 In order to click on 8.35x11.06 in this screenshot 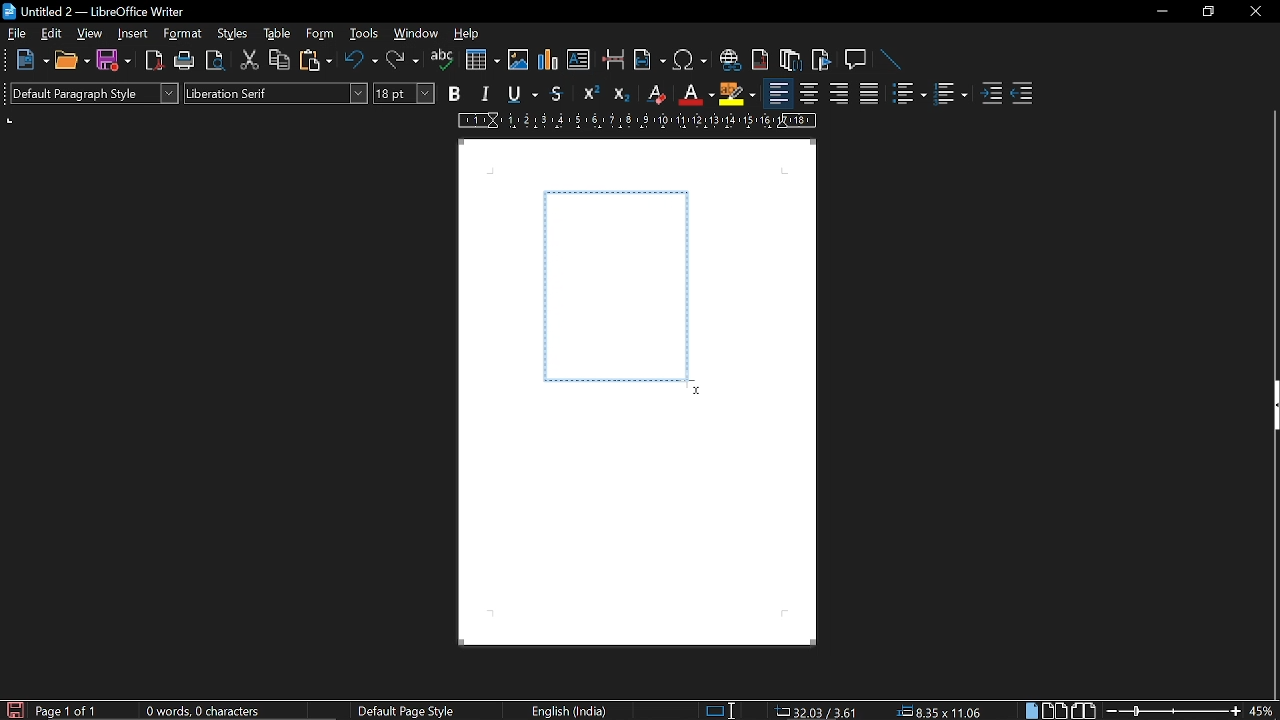, I will do `click(940, 710)`.